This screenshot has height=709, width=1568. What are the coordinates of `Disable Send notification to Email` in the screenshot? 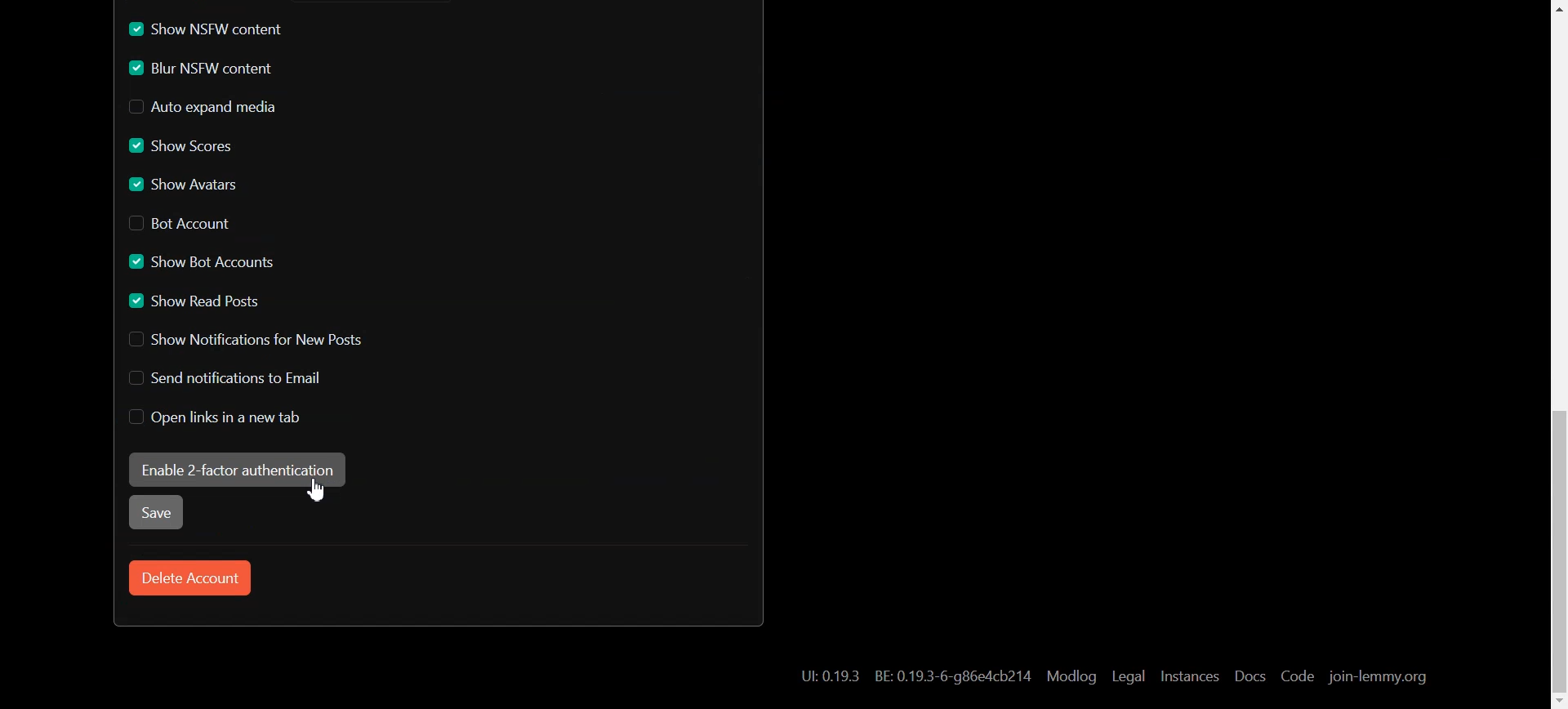 It's located at (232, 377).